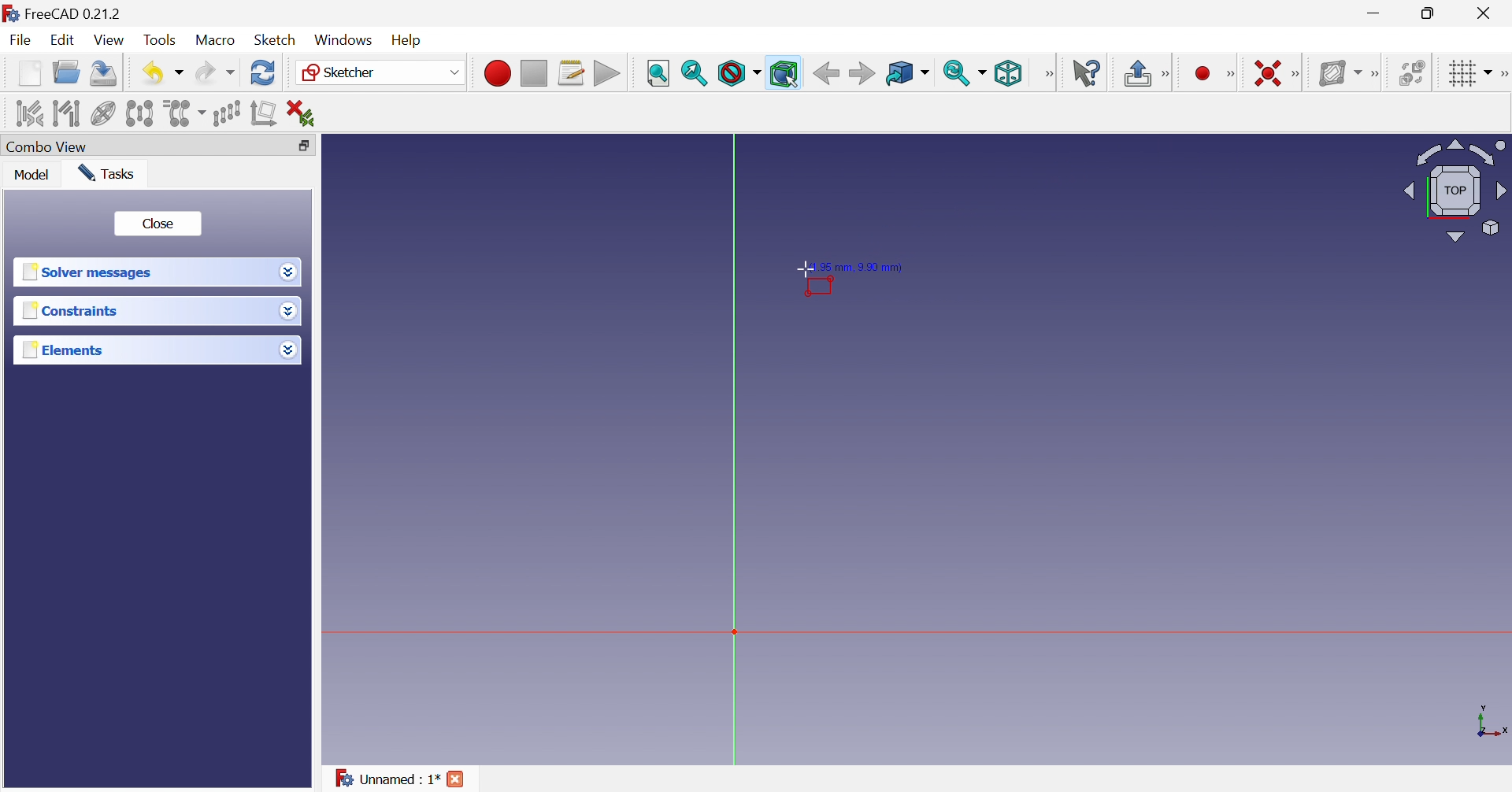  What do you see at coordinates (387, 779) in the screenshot?
I see `Unnamed : 1` at bounding box center [387, 779].